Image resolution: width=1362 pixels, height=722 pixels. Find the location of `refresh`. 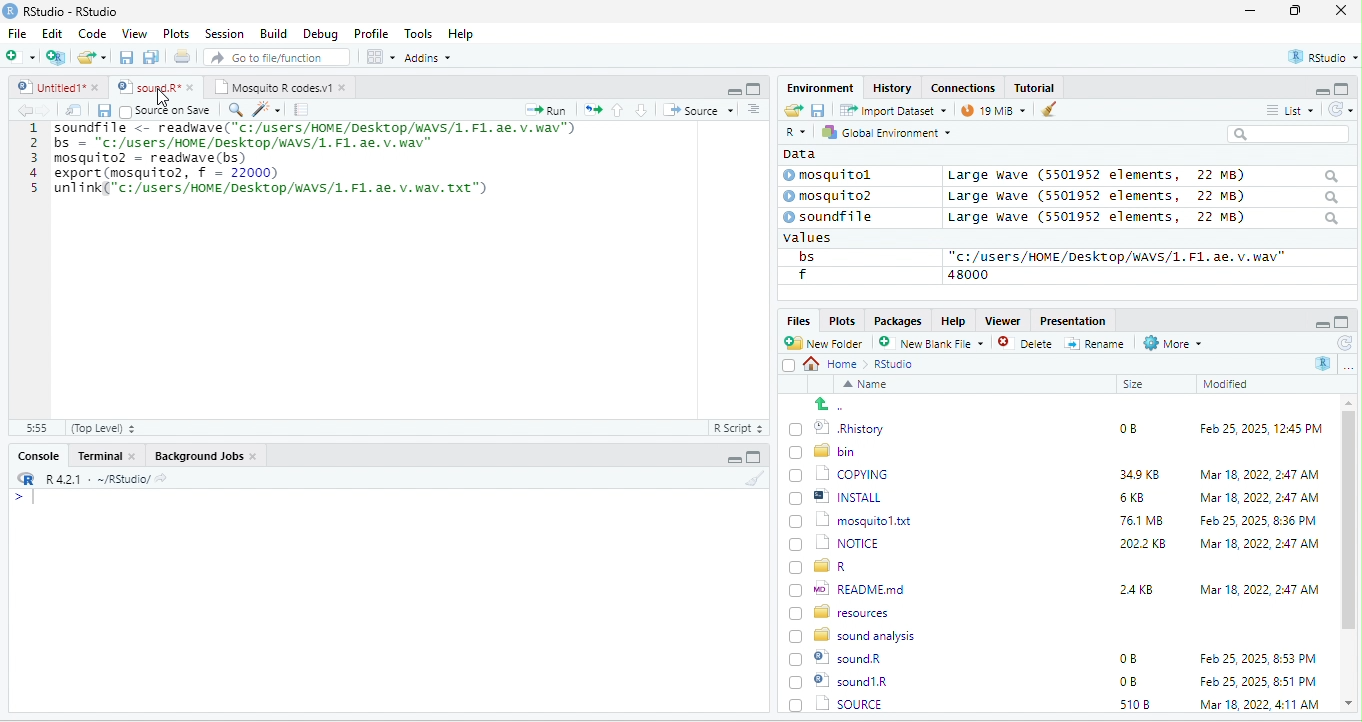

refresh is located at coordinates (1343, 343).